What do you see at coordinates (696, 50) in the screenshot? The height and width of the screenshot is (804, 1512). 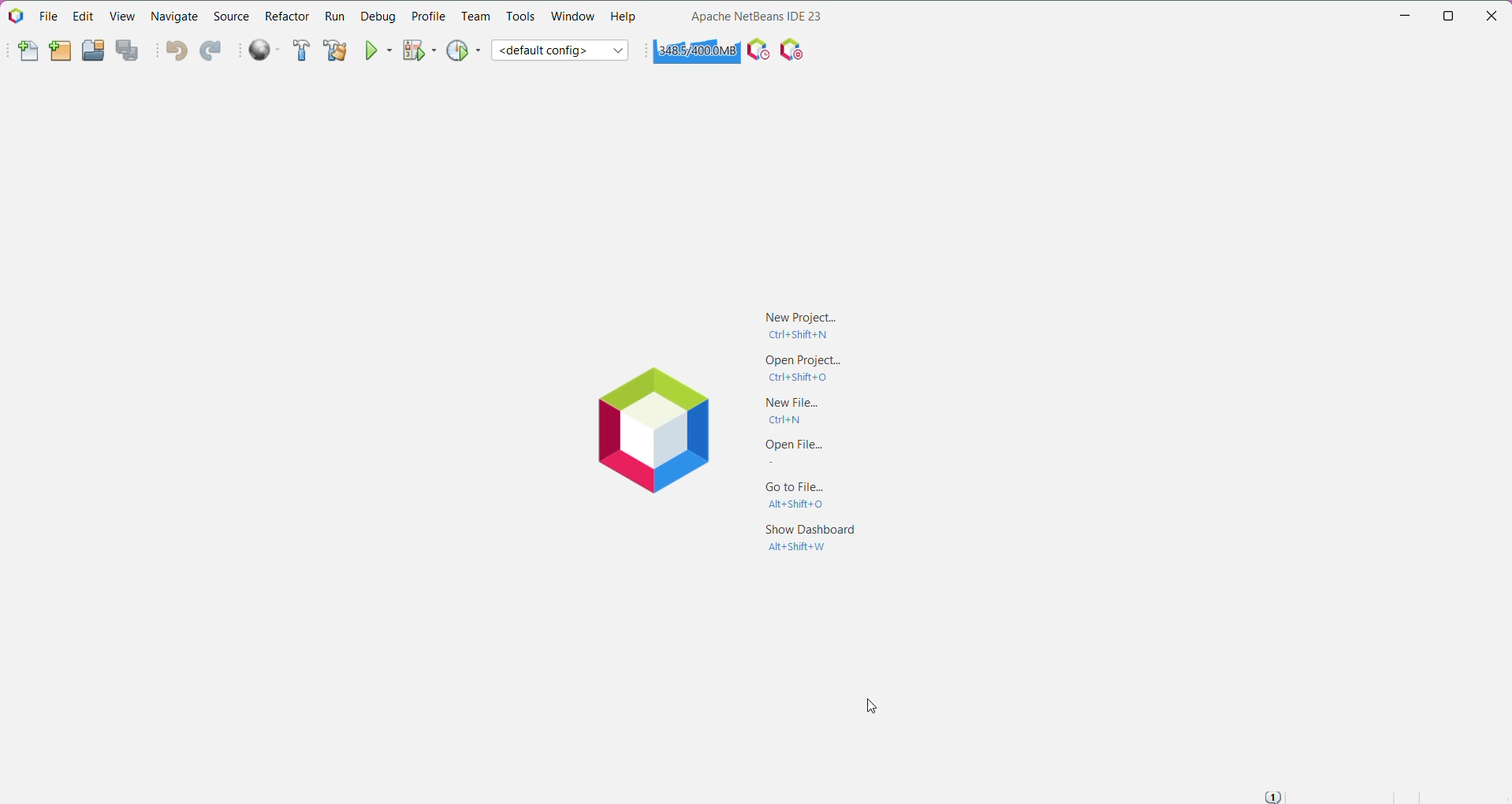 I see `Click to force garbage collection` at bounding box center [696, 50].